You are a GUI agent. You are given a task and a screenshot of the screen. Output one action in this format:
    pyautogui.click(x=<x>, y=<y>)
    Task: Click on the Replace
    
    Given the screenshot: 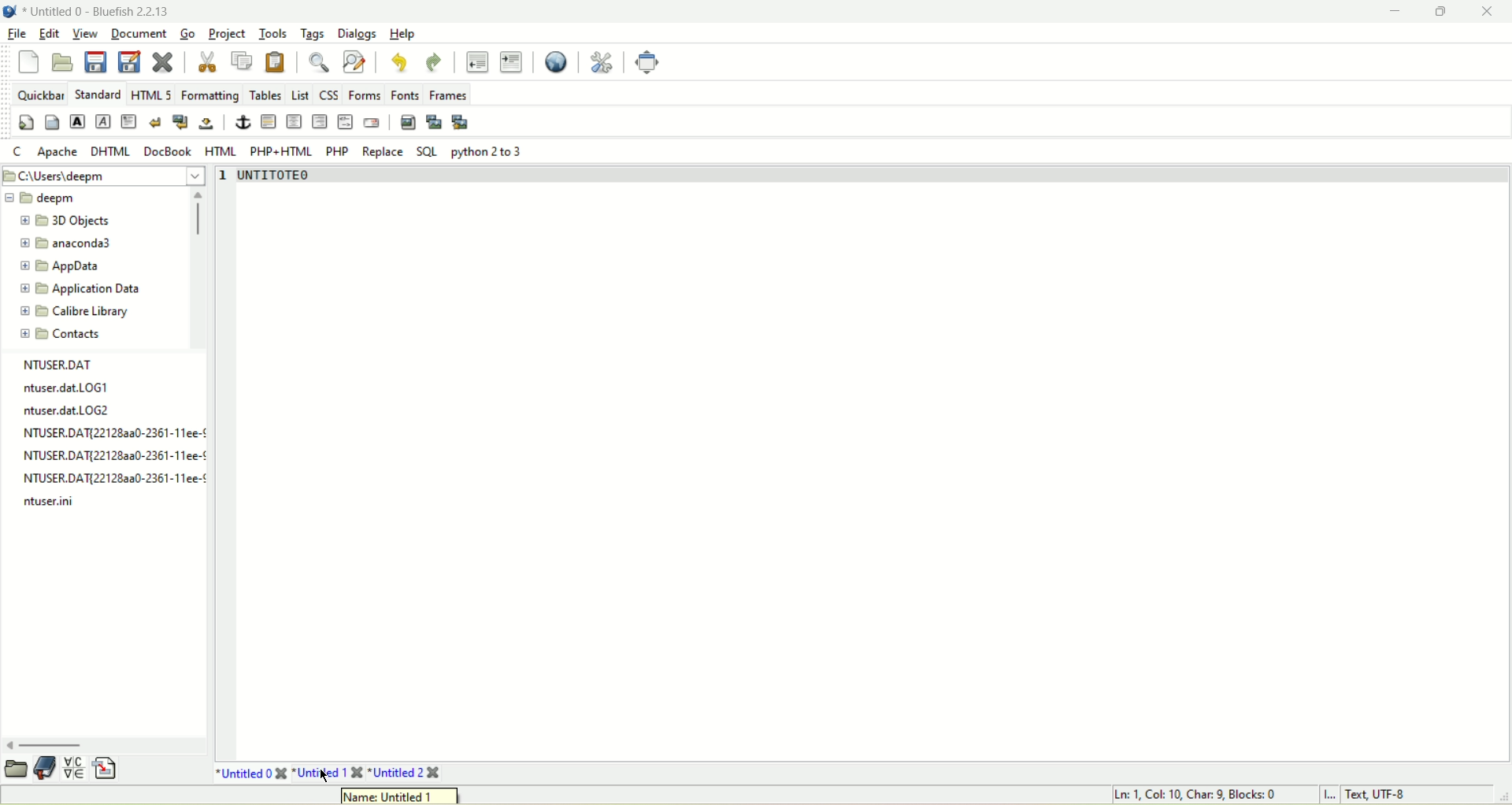 What is the action you would take?
    pyautogui.click(x=383, y=152)
    